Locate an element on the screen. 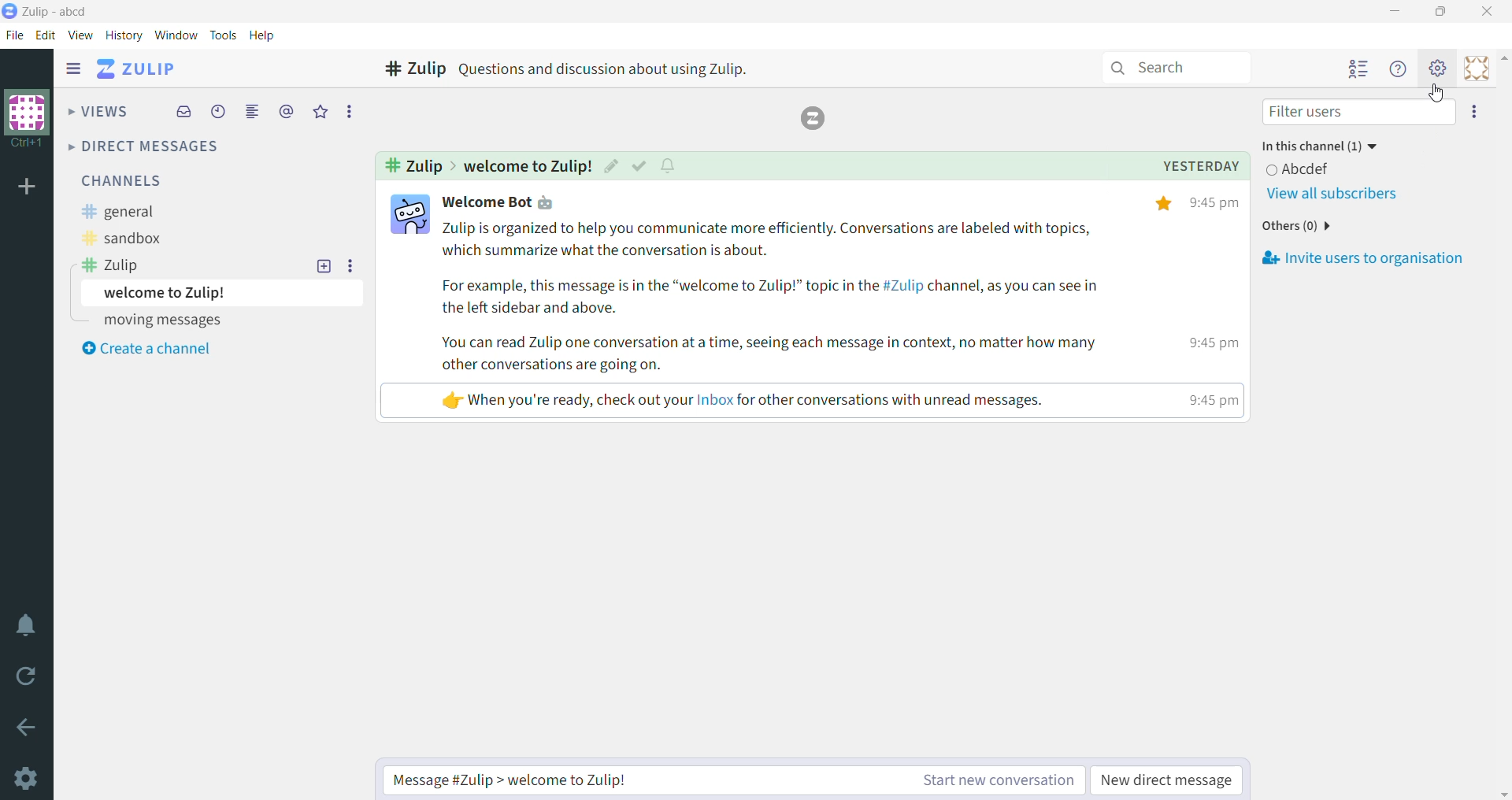 The image size is (1512, 800). Recent Conversations is located at coordinates (219, 112).